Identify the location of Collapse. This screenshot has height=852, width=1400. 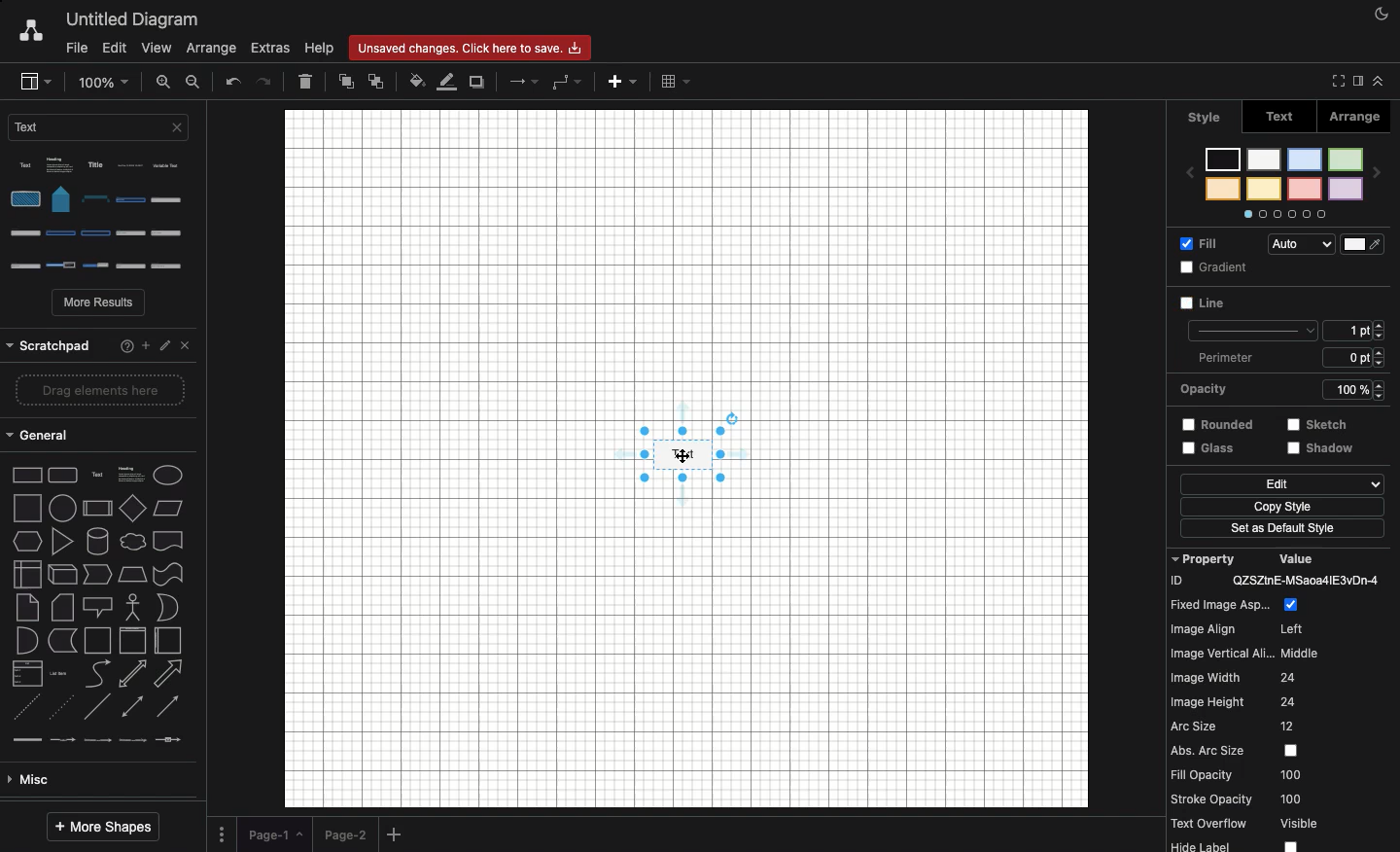
(1379, 81).